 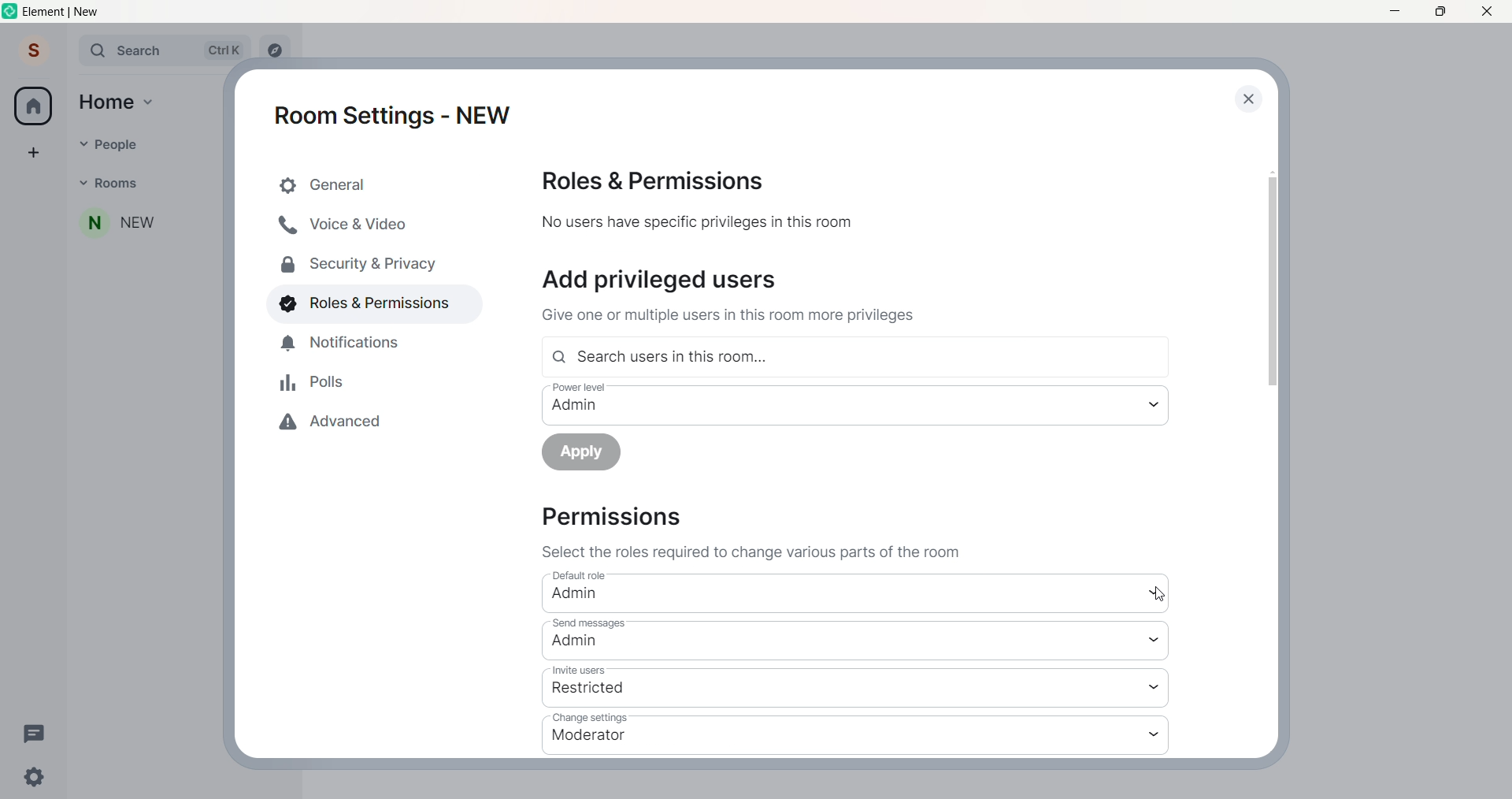 What do you see at coordinates (1161, 593) in the screenshot?
I see `cursor` at bounding box center [1161, 593].